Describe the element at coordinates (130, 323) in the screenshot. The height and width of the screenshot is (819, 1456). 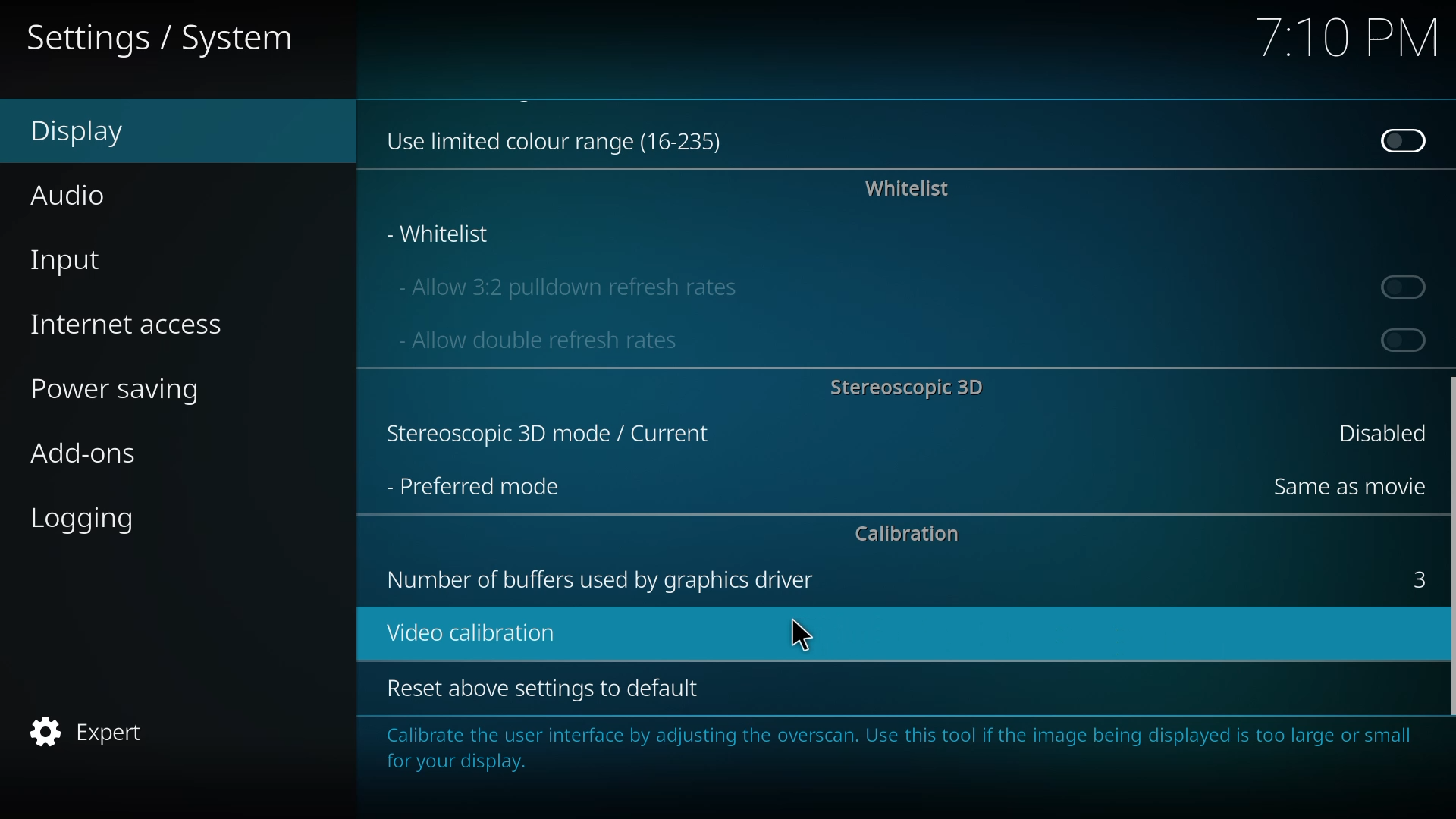
I see `internet access` at that location.